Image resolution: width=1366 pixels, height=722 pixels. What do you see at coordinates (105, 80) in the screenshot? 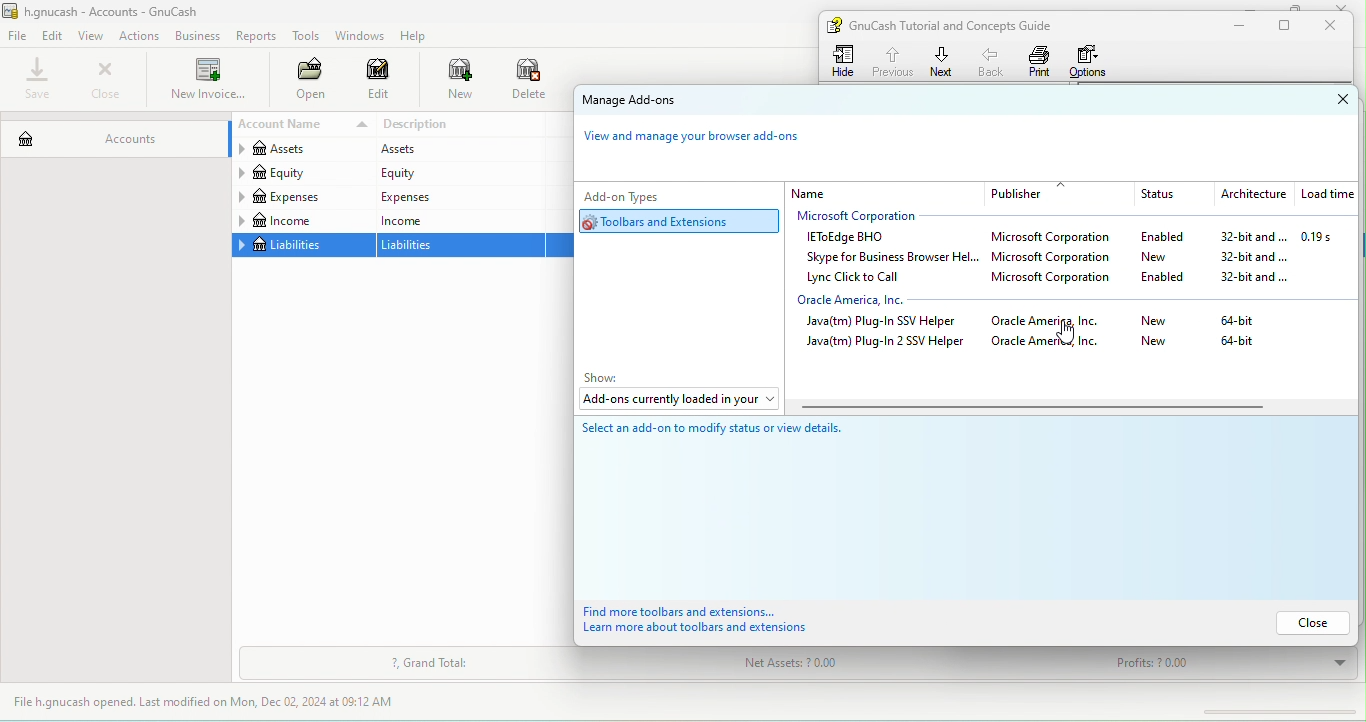
I see `close` at bounding box center [105, 80].